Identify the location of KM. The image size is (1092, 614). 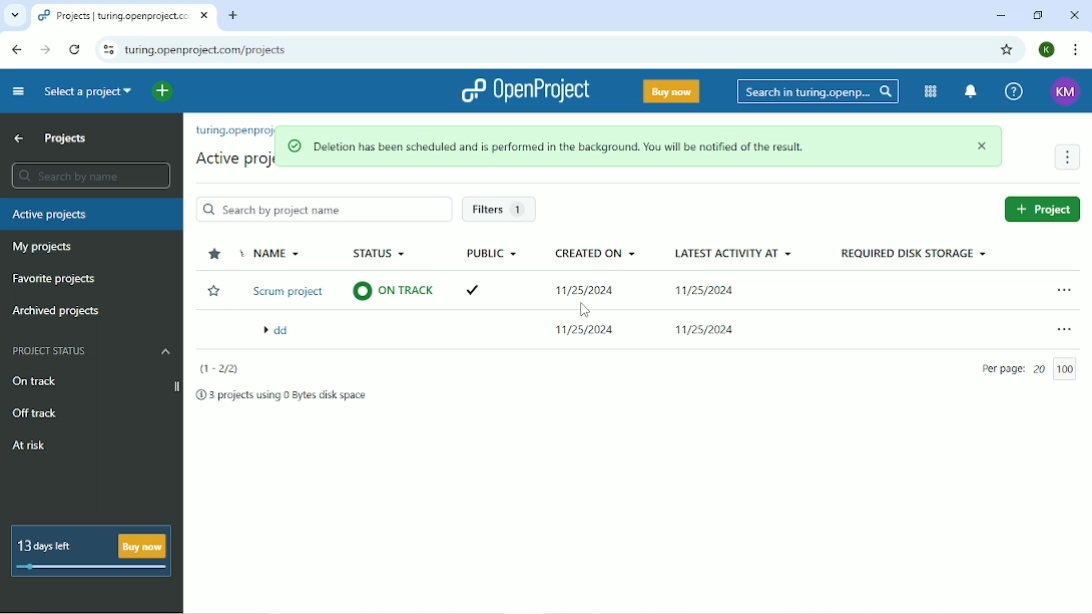
(1065, 93).